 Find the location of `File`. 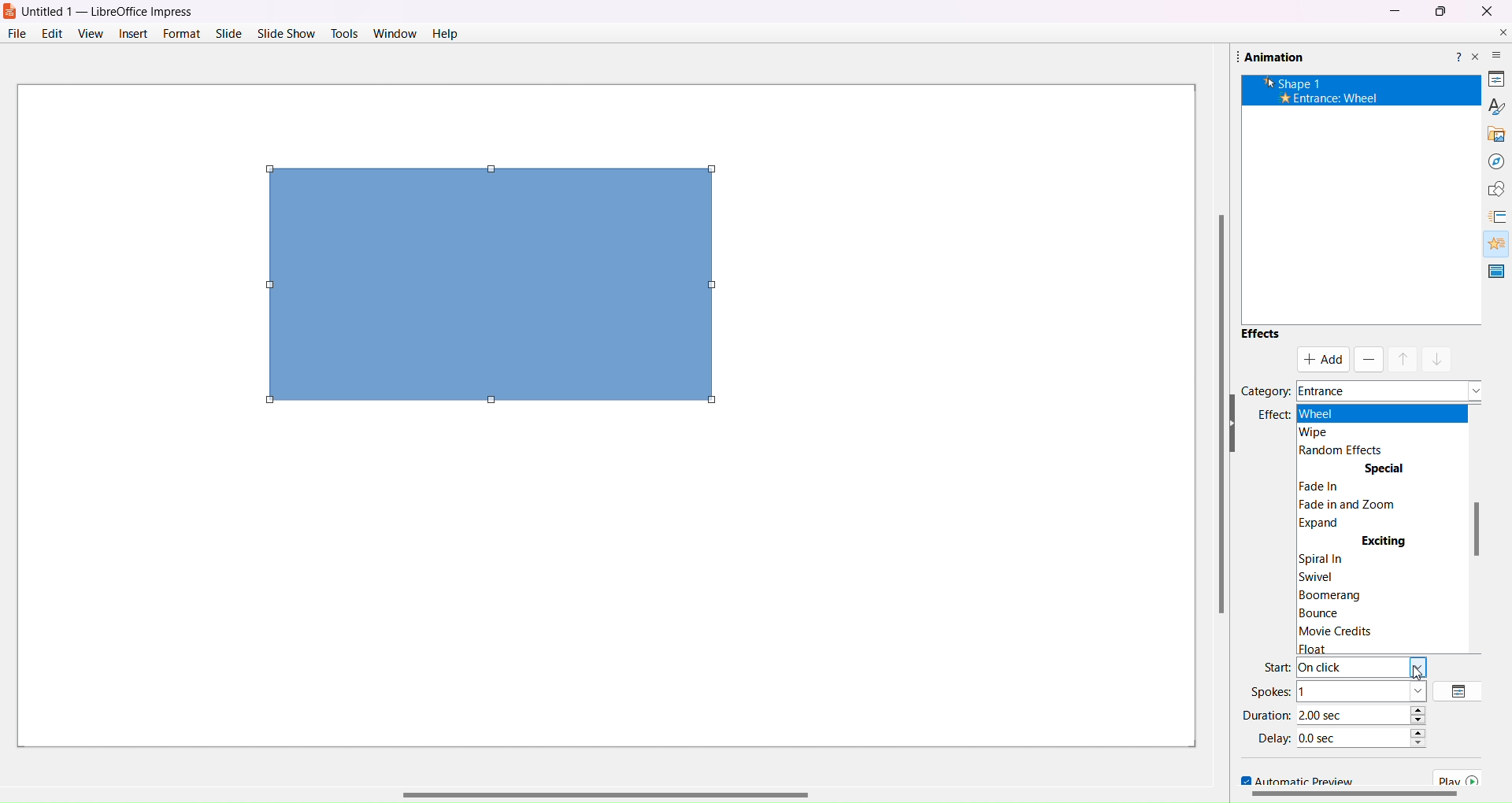

File is located at coordinates (16, 33).